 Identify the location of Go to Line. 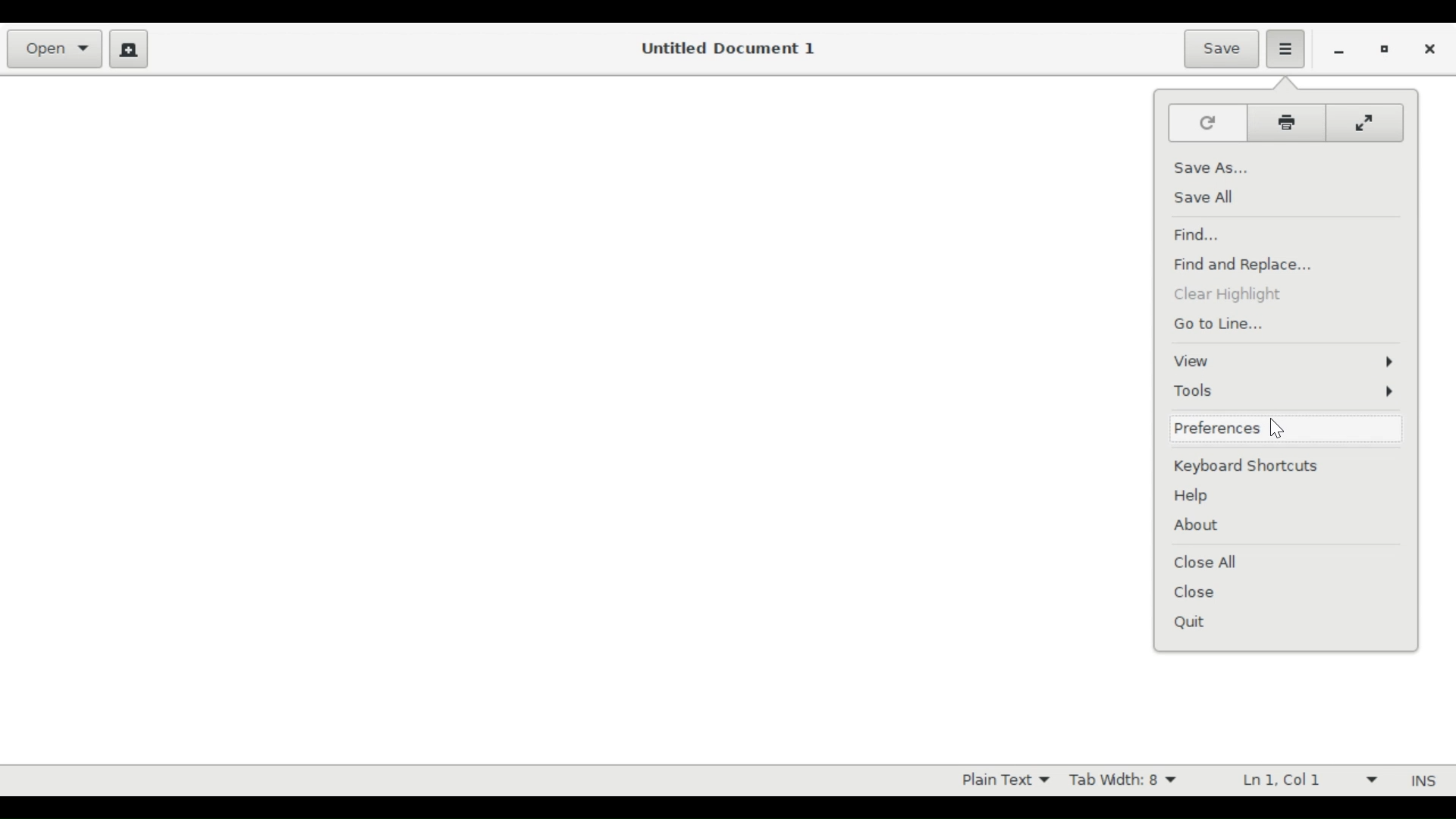
(1222, 324).